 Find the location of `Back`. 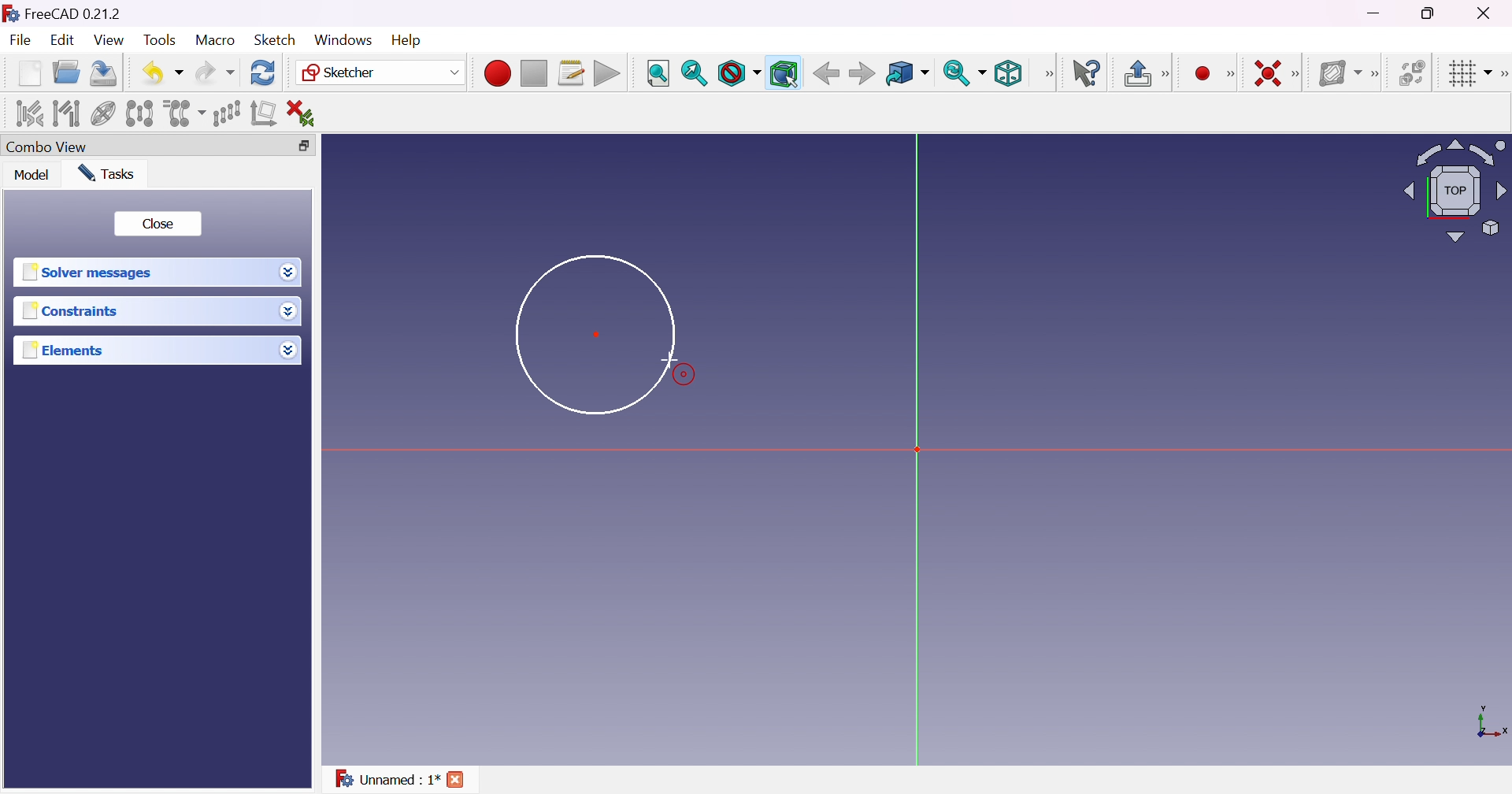

Back is located at coordinates (825, 73).